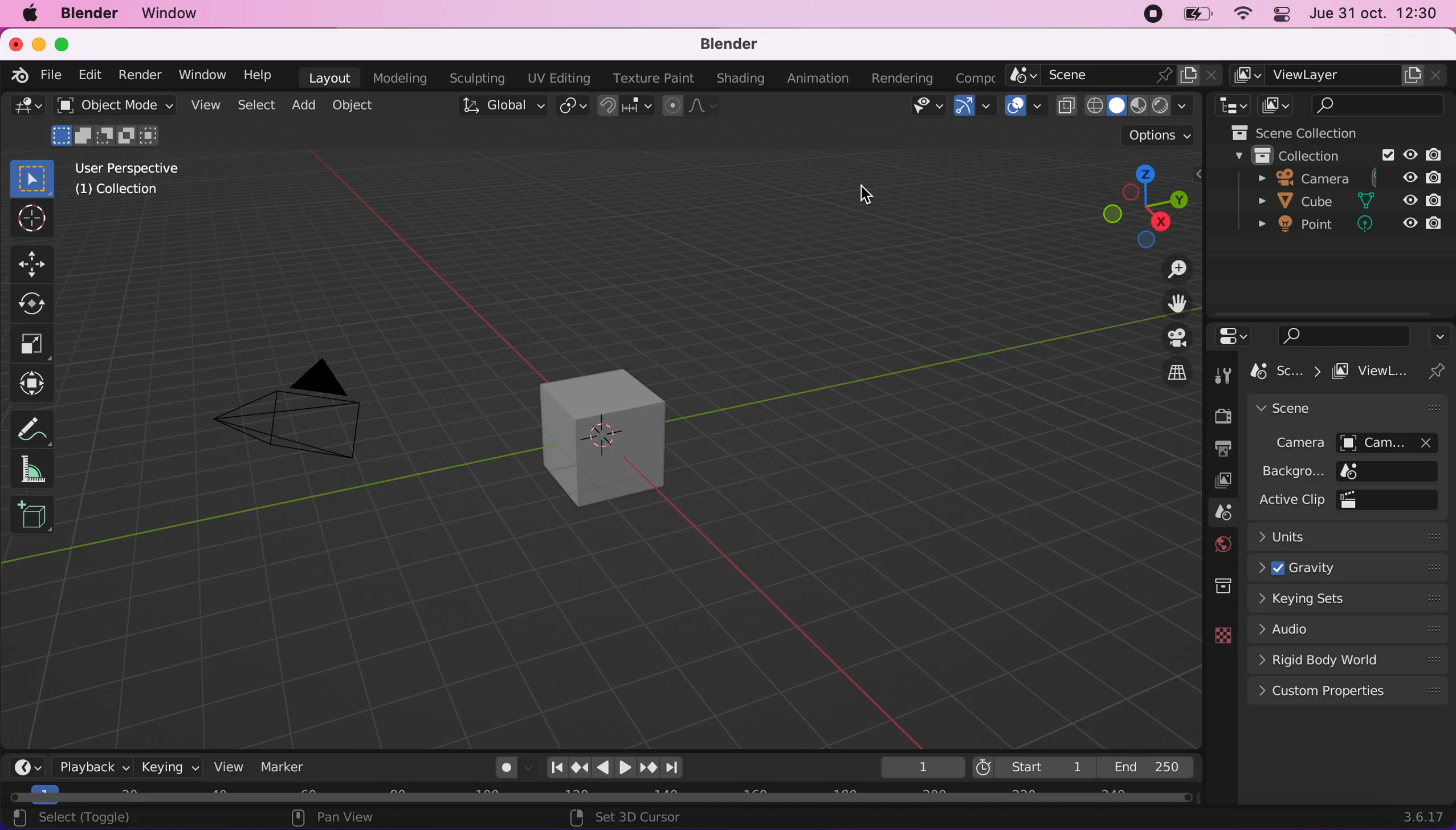 This screenshot has height=830, width=1456. I want to click on gizmos, so click(978, 108).